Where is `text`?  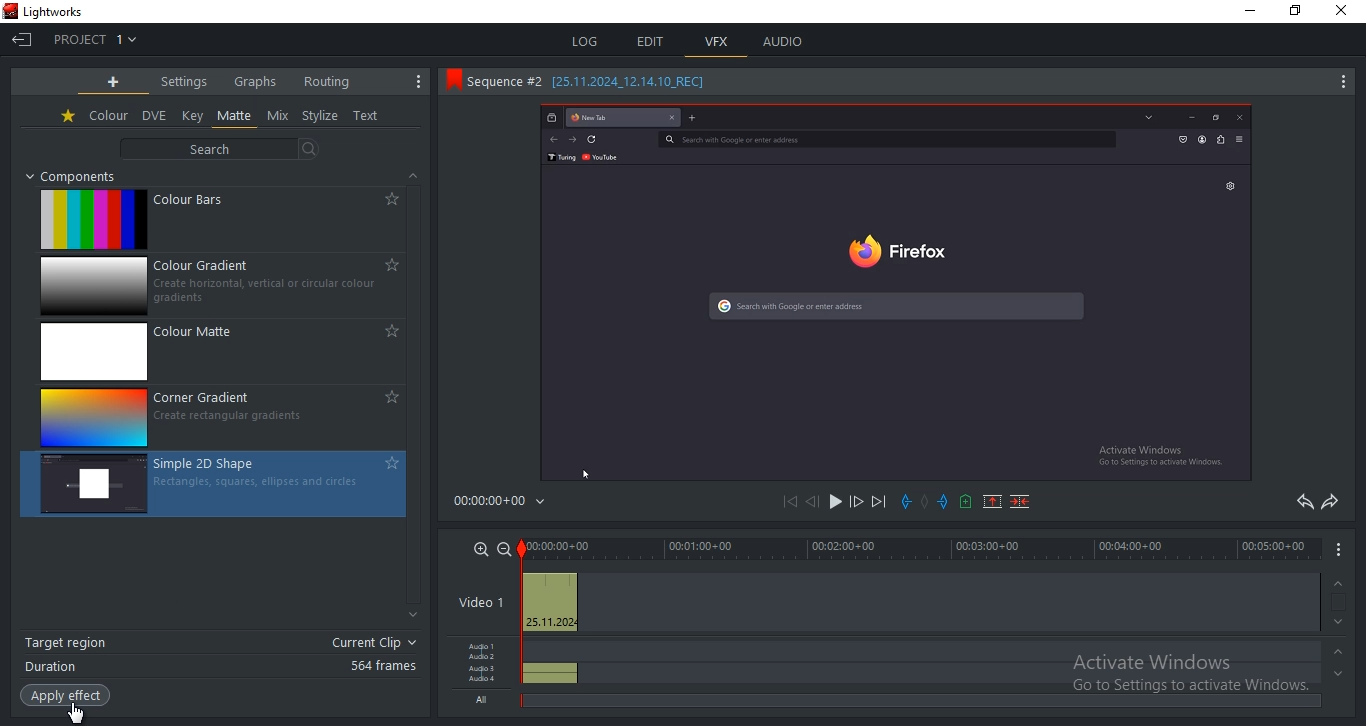
text is located at coordinates (367, 117).